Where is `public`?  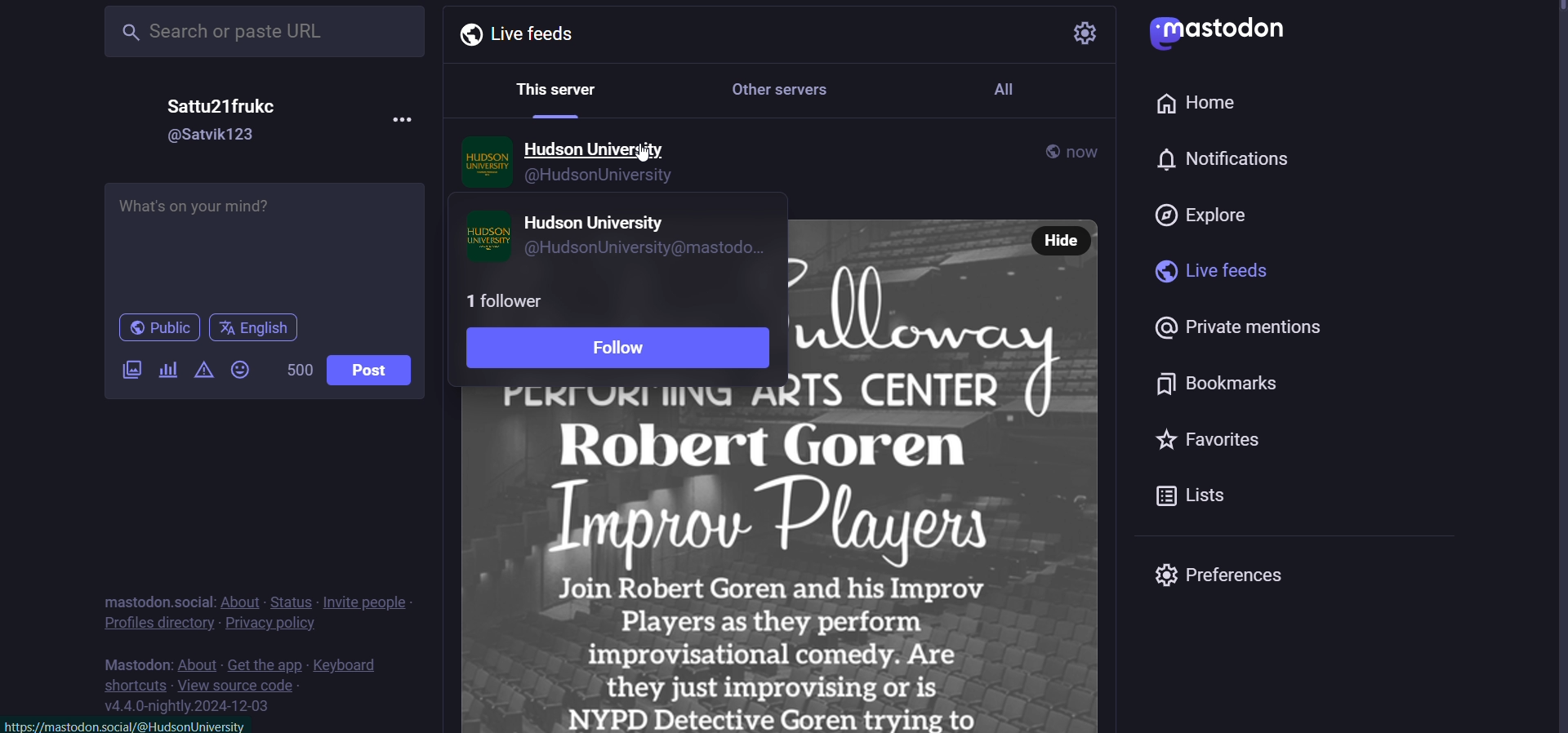 public is located at coordinates (1049, 152).